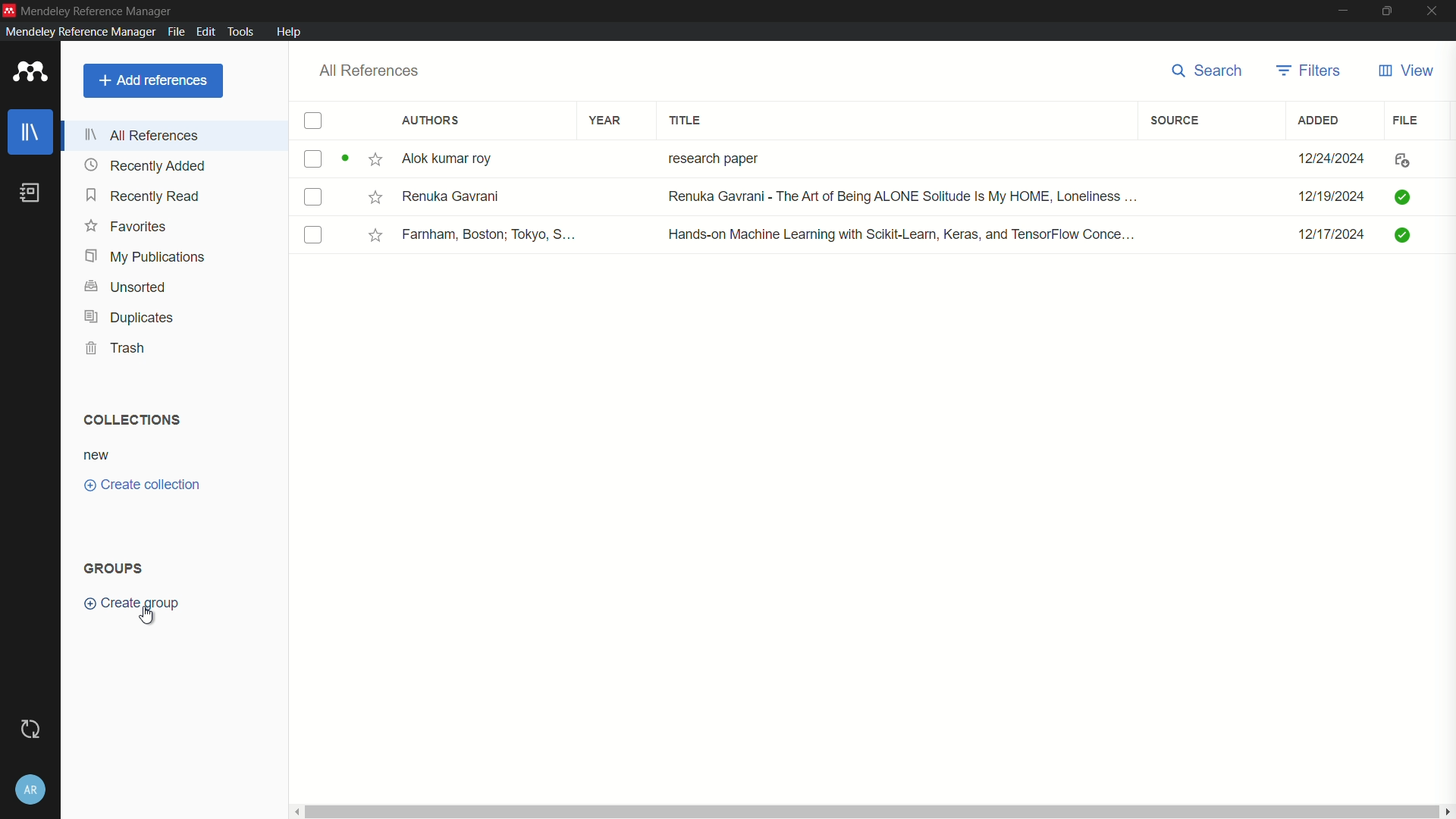  I want to click on Renuka Gavrani, so click(451, 196).